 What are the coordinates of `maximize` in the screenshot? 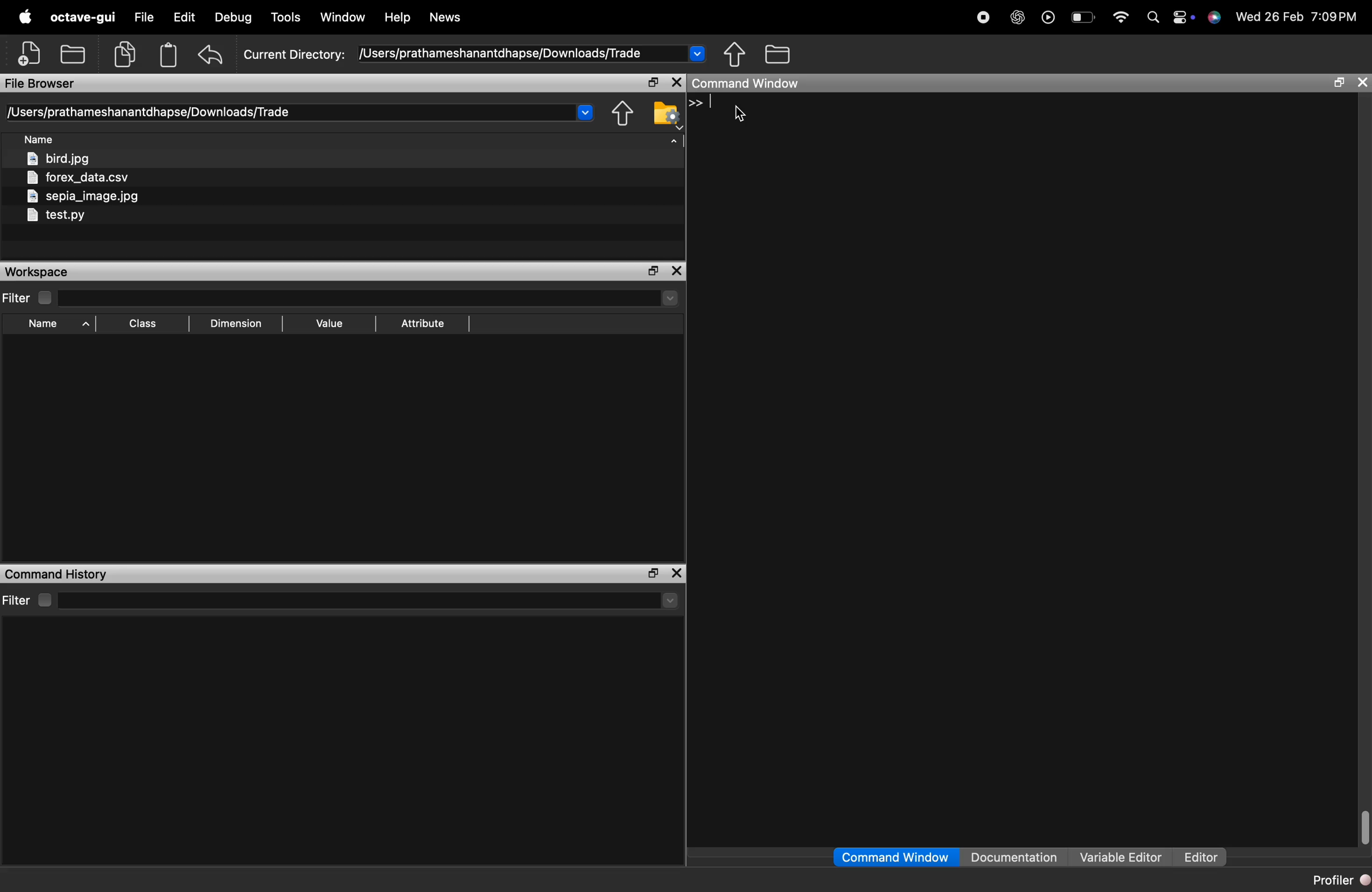 It's located at (651, 82).